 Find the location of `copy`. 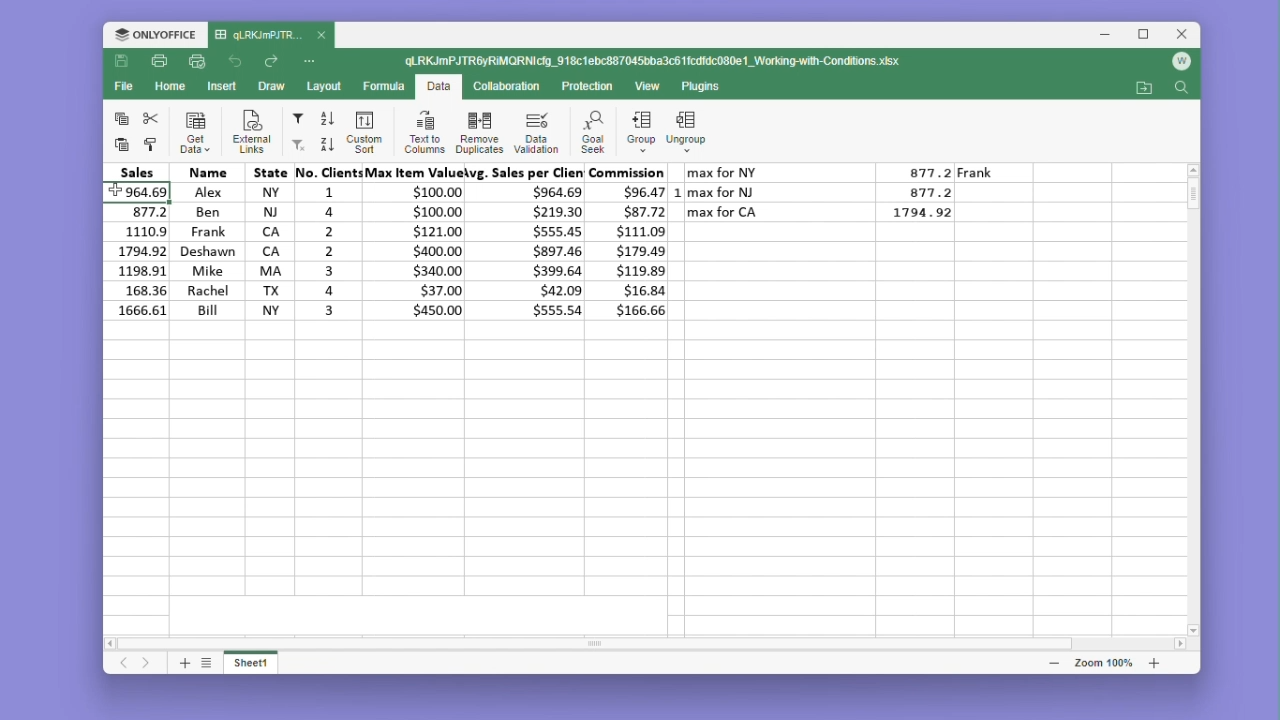

copy is located at coordinates (121, 117).